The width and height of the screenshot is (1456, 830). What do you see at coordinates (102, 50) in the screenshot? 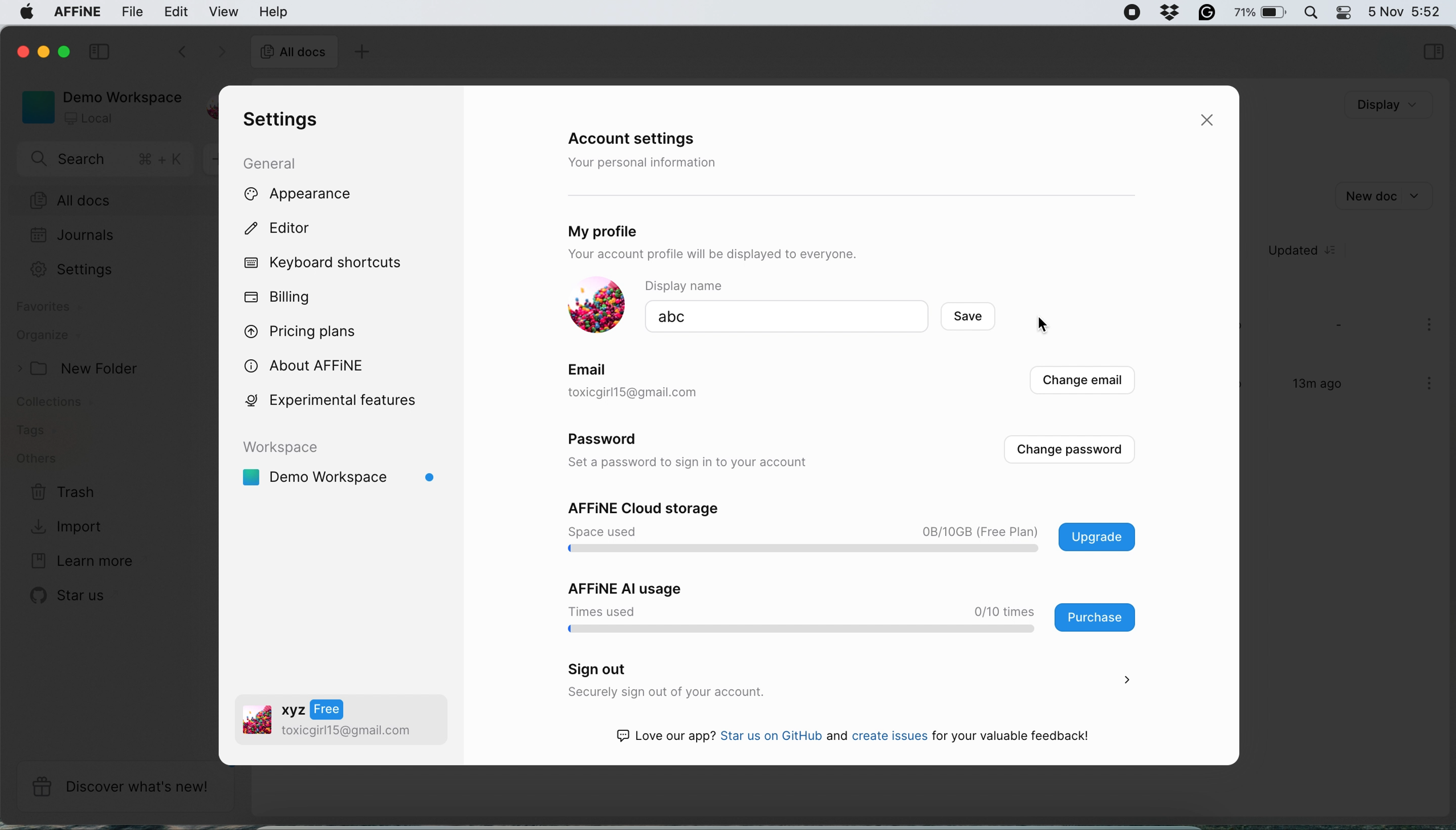
I see `collapse sidebar` at bounding box center [102, 50].